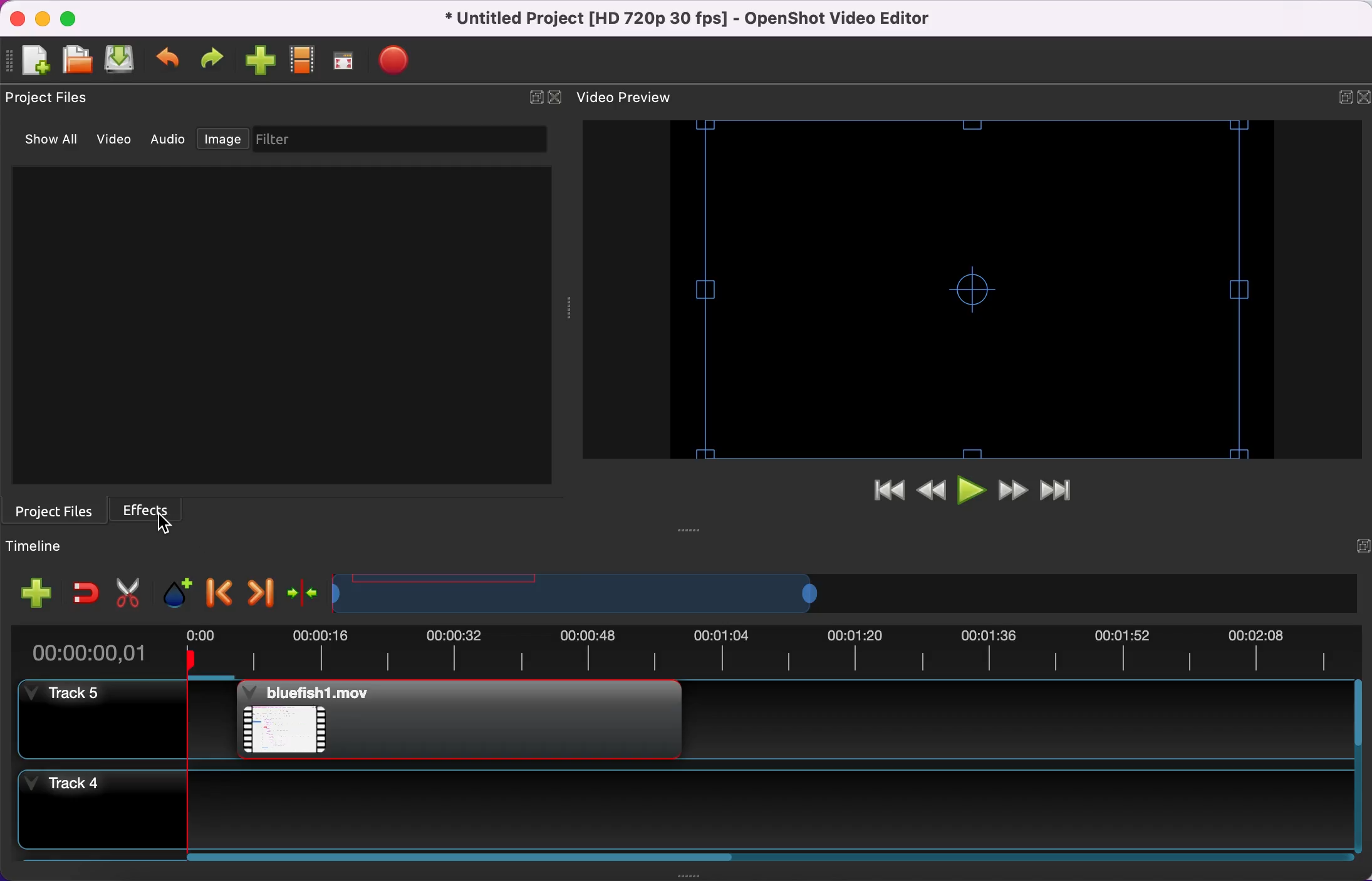 The image size is (1372, 881). Describe the element at coordinates (972, 491) in the screenshot. I see `play` at that location.